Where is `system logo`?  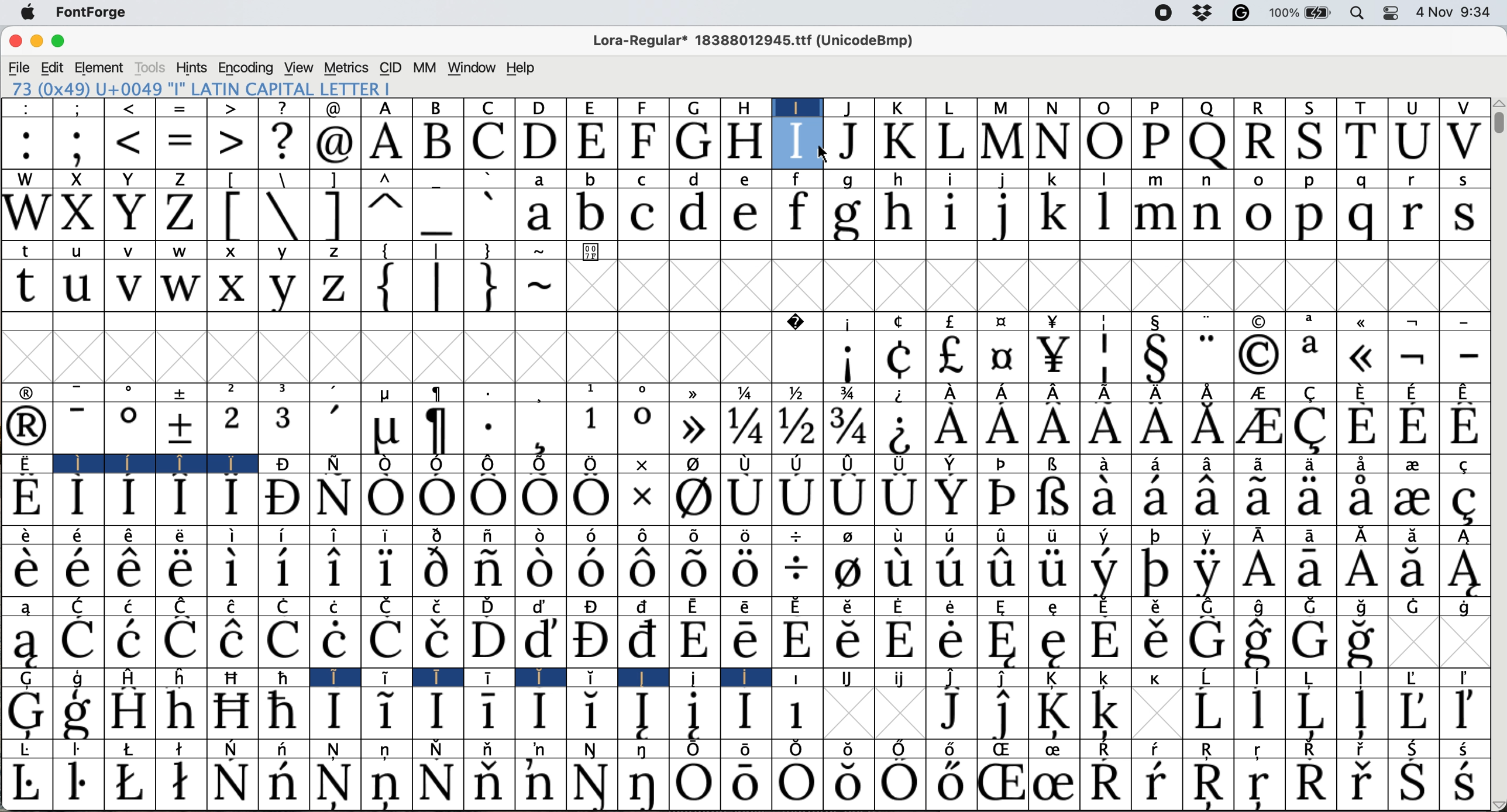
system logo is located at coordinates (26, 12).